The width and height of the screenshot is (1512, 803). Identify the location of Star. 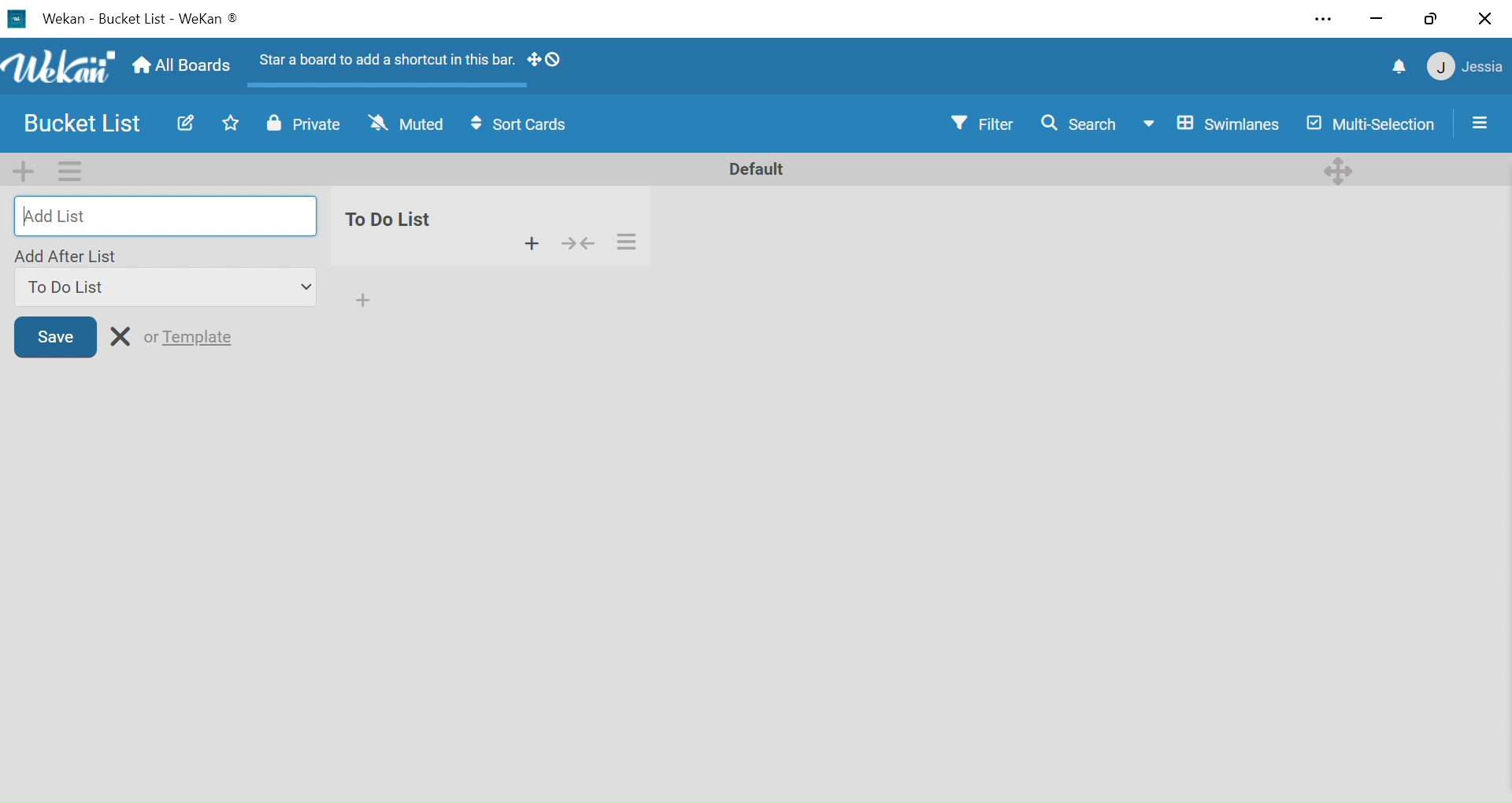
(225, 124).